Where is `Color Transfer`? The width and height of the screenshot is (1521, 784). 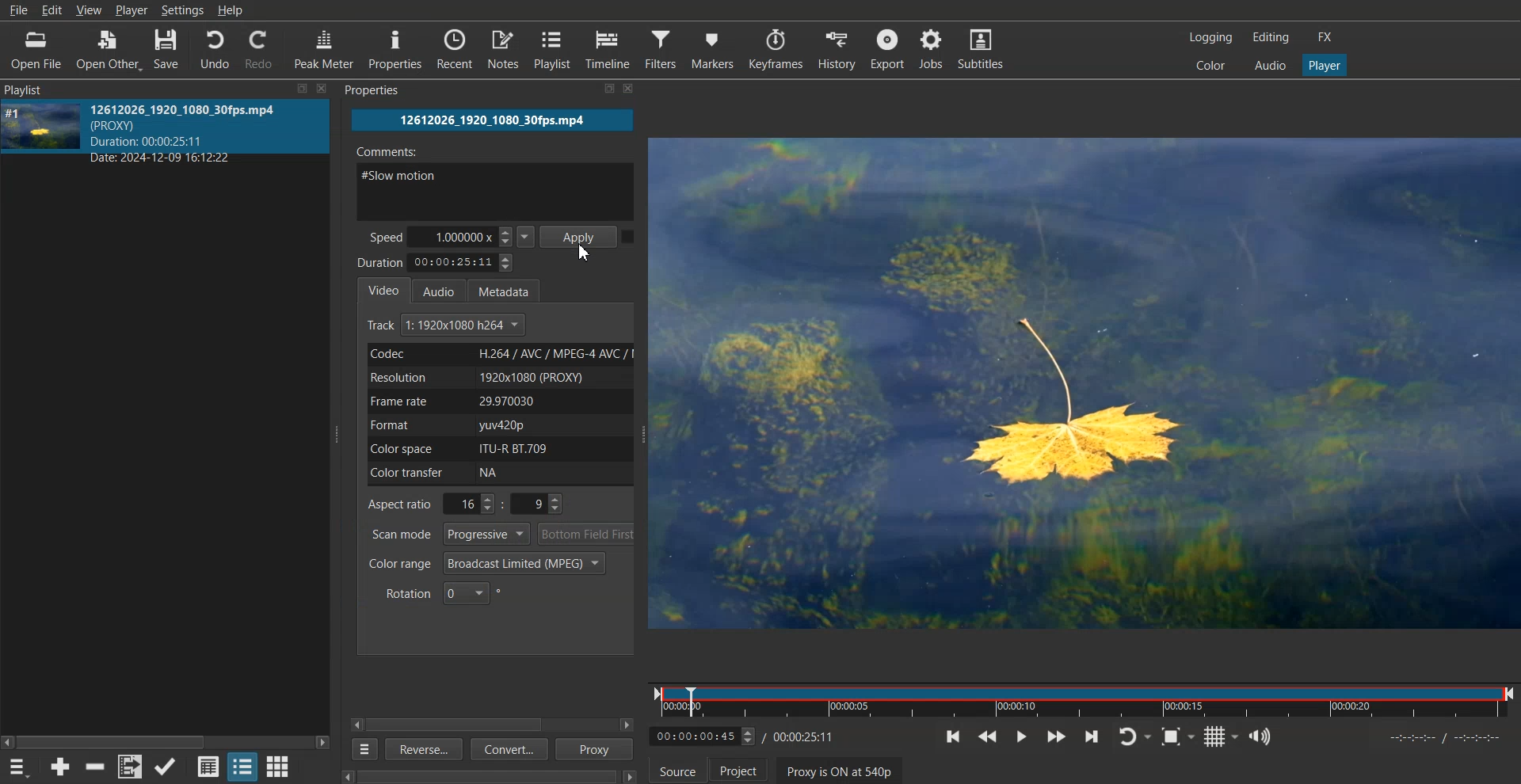 Color Transfer is located at coordinates (502, 474).